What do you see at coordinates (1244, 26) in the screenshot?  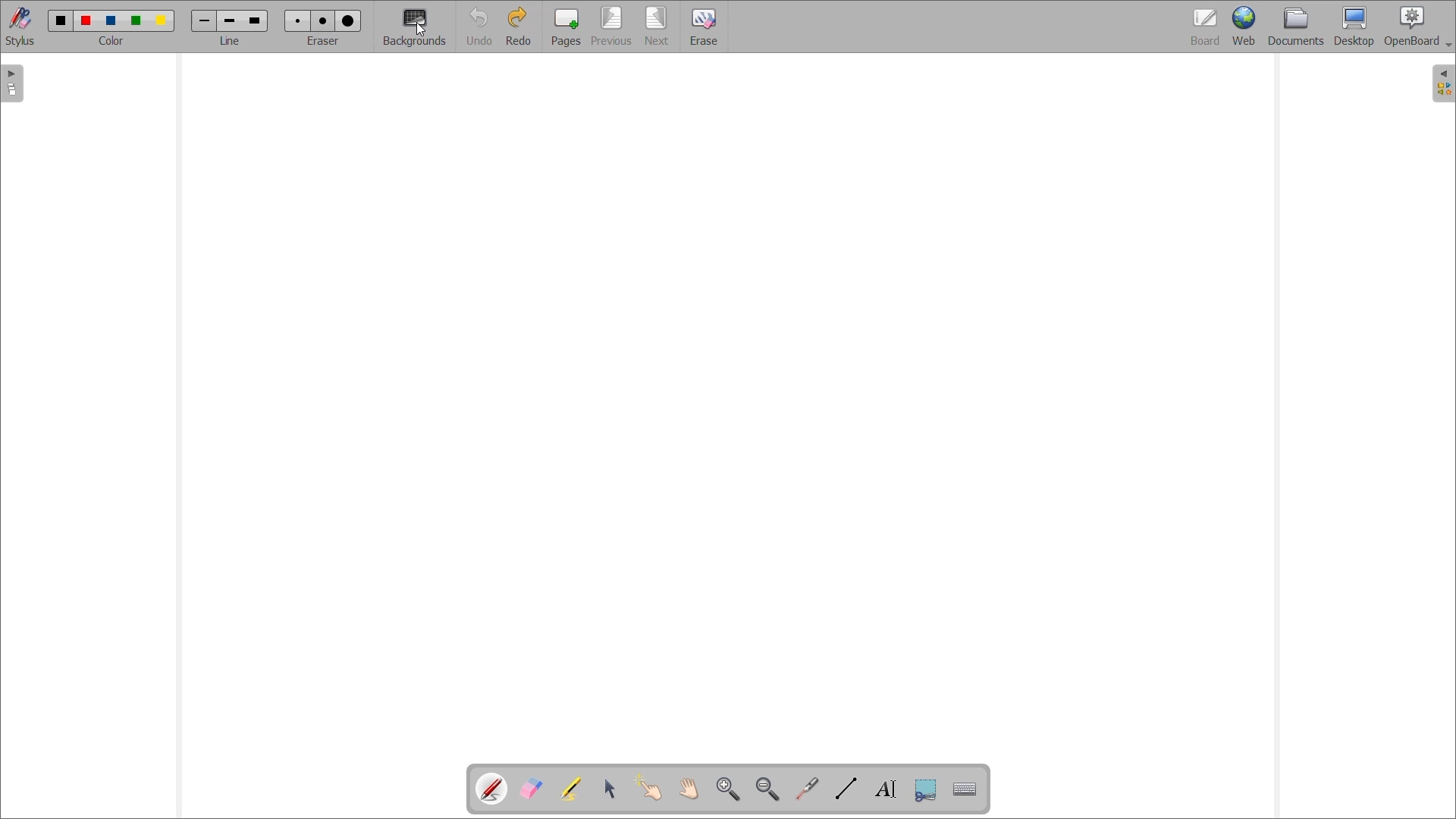 I see `Open web` at bounding box center [1244, 26].